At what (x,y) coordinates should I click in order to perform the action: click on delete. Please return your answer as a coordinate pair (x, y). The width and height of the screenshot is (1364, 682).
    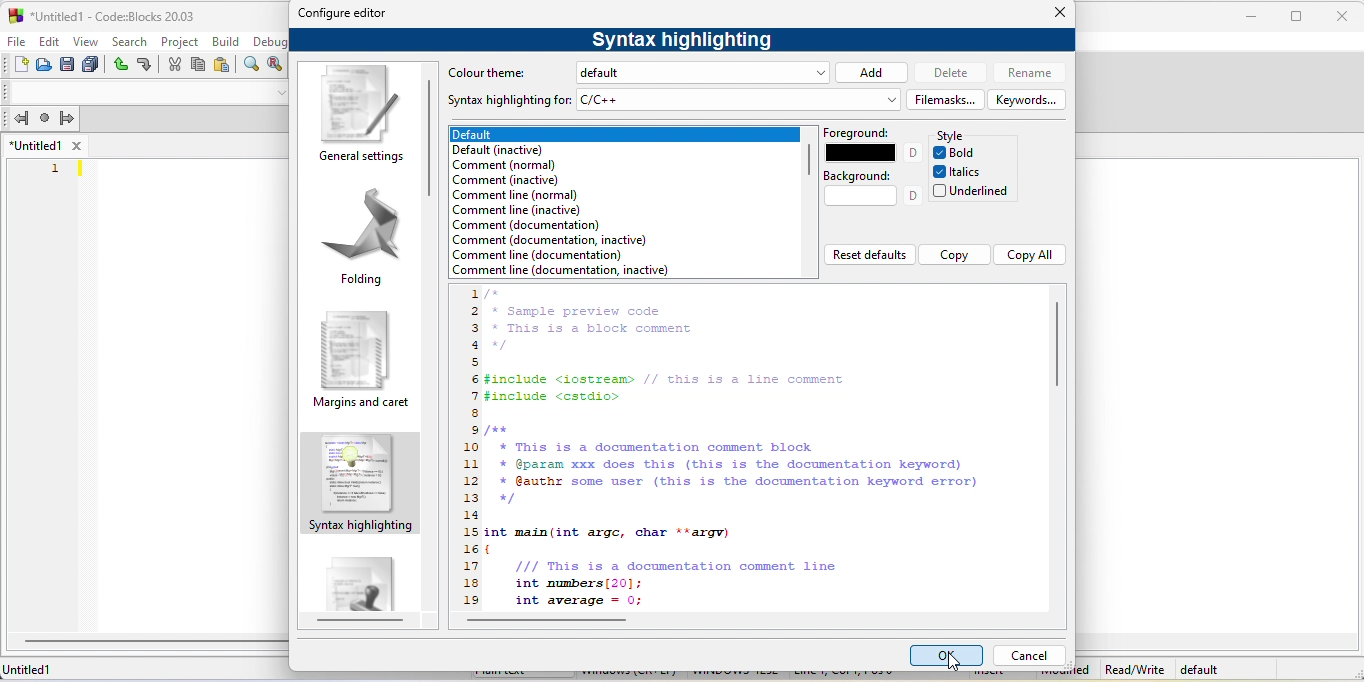
    Looking at the image, I should click on (949, 73).